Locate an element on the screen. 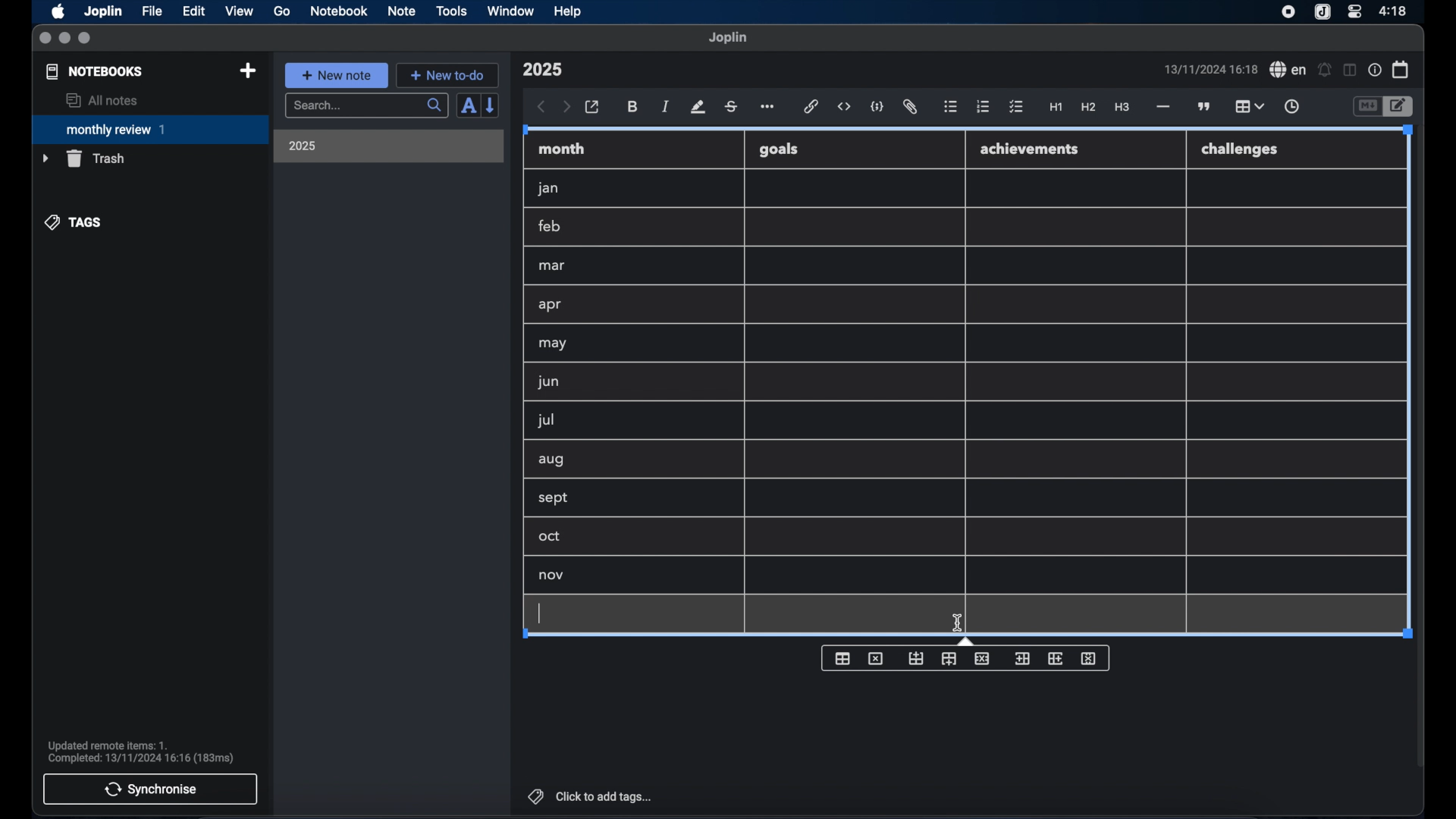 The width and height of the screenshot is (1456, 819). heading 3 is located at coordinates (1122, 108).